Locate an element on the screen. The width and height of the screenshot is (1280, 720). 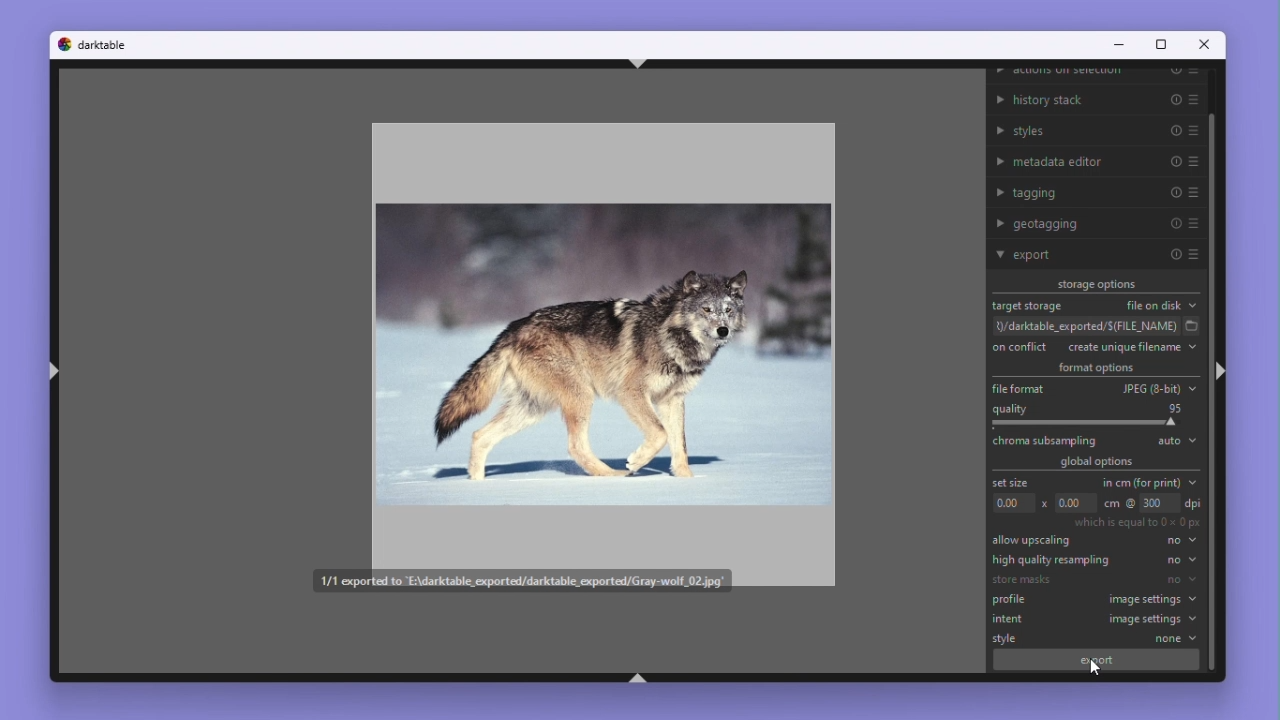
Croma sampling is located at coordinates (1097, 425).